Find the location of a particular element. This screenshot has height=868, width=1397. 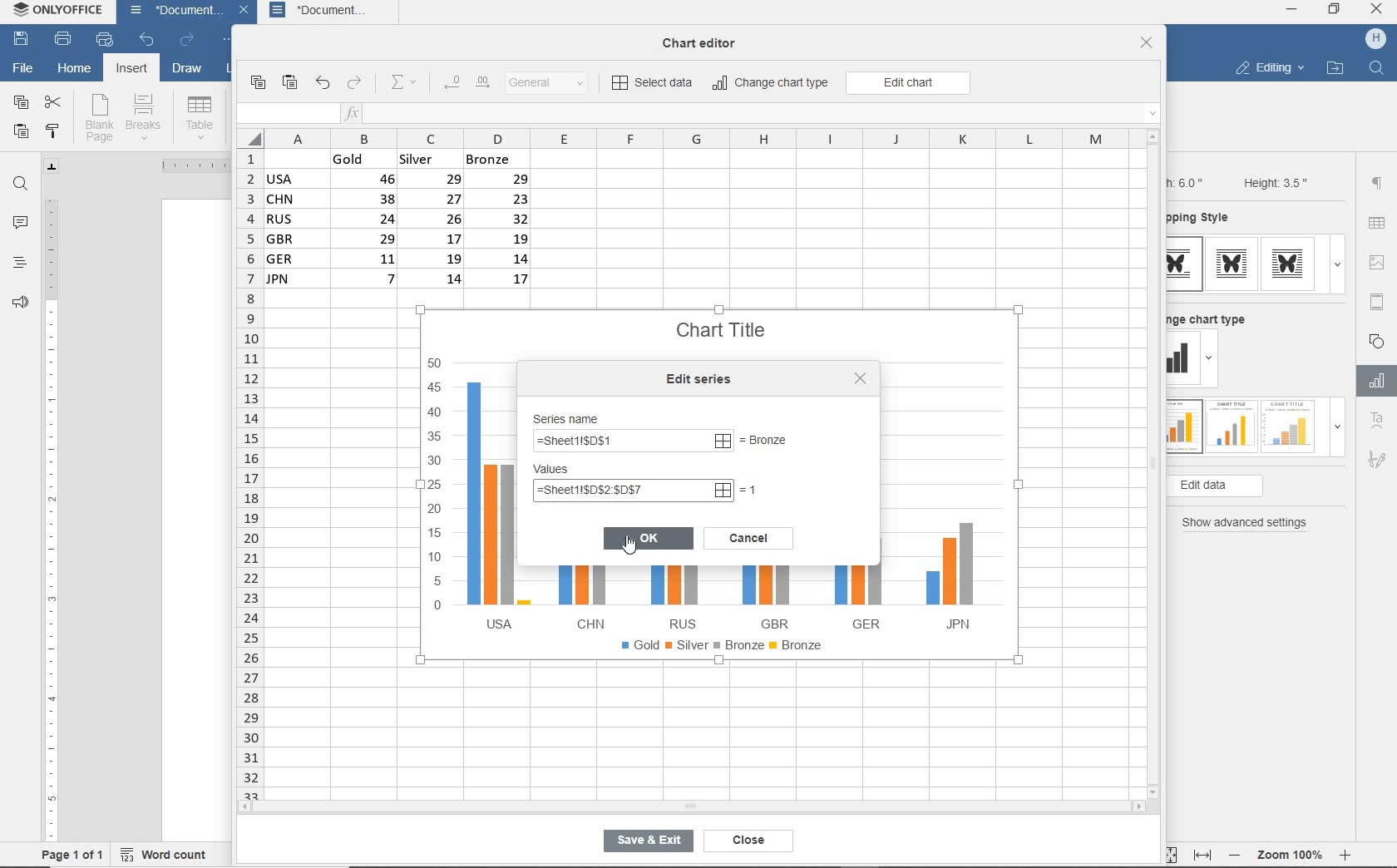

dropdown is located at coordinates (1337, 264).